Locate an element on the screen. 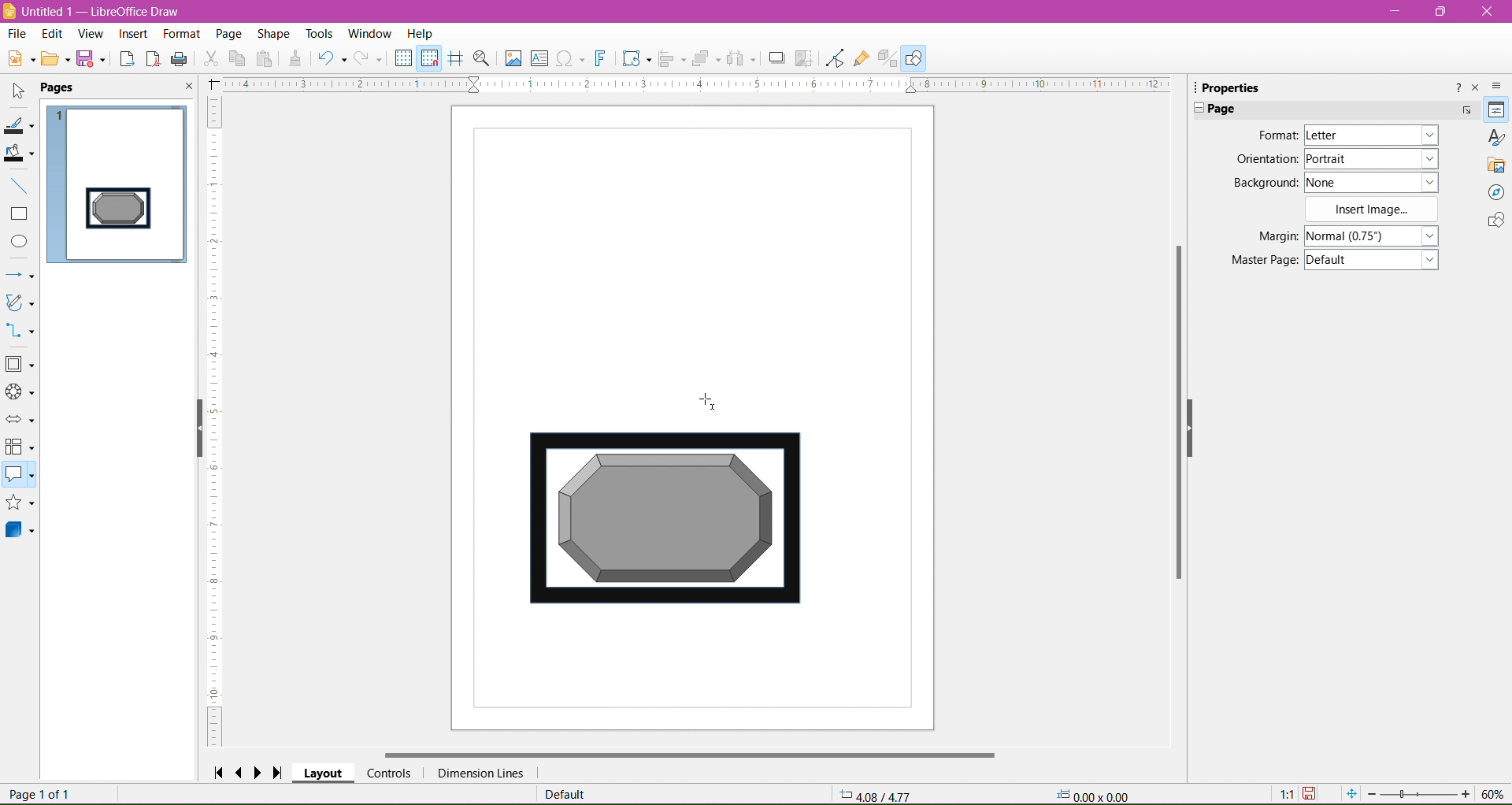 This screenshot has width=1512, height=805. Export directly as PDF is located at coordinates (153, 59).